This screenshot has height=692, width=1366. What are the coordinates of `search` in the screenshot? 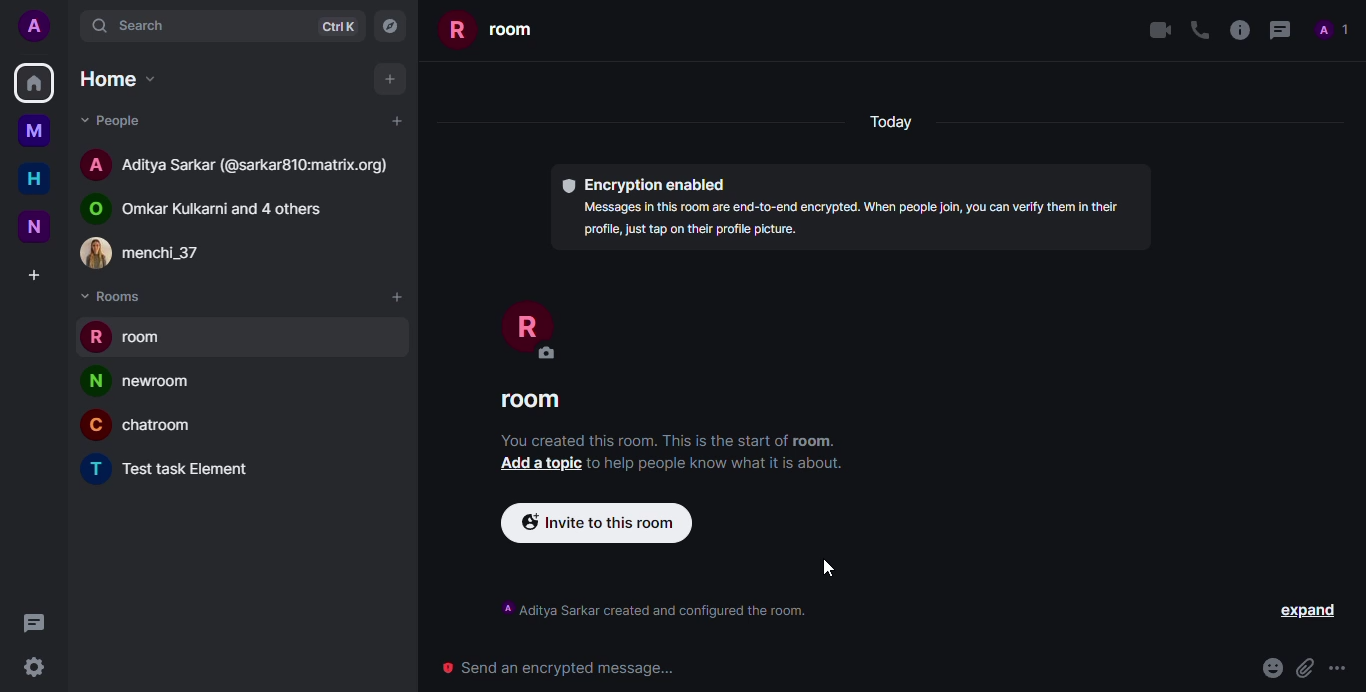 It's located at (155, 25).